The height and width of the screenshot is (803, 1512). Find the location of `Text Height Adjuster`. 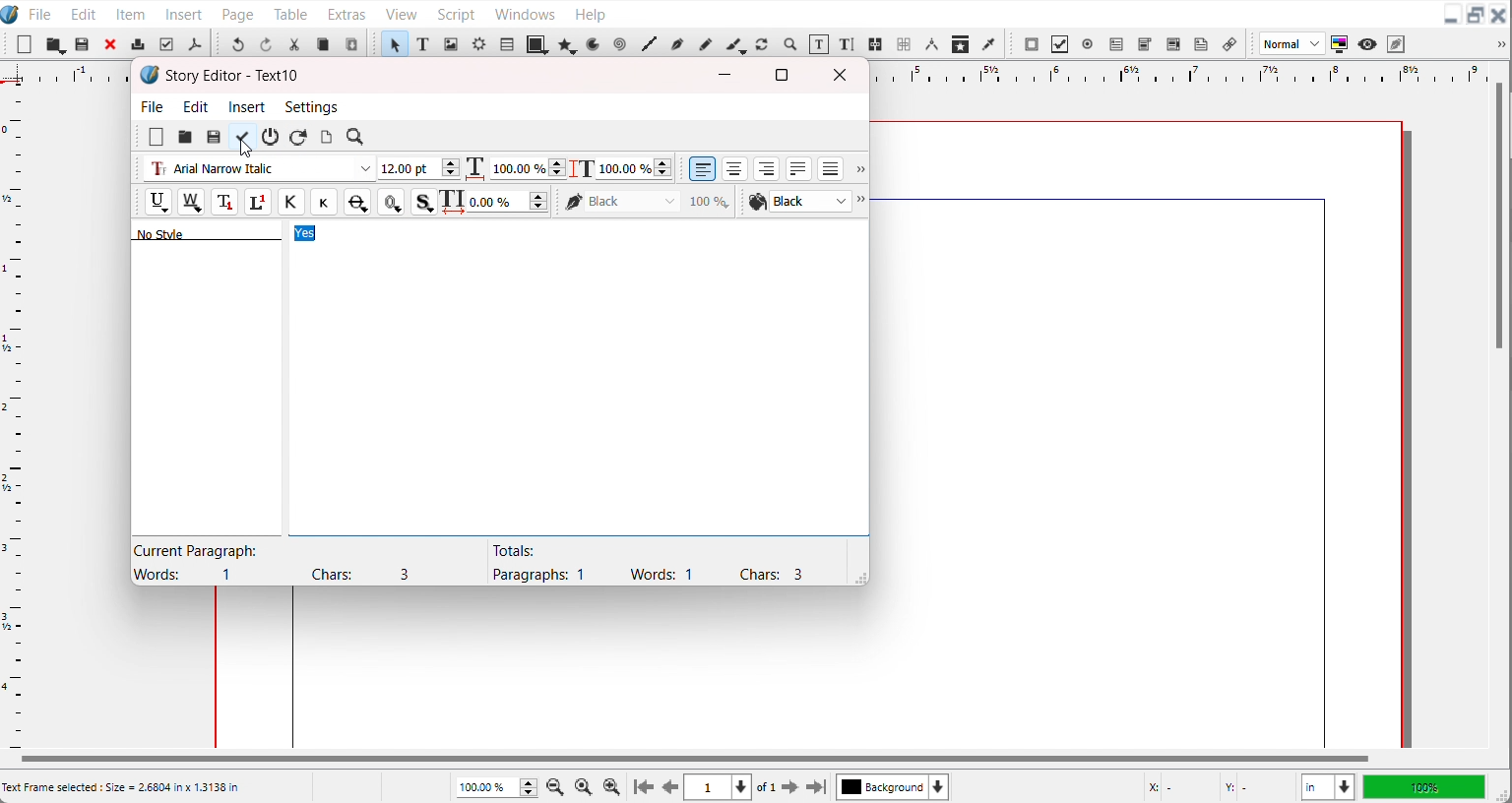

Text Height Adjuster is located at coordinates (634, 168).